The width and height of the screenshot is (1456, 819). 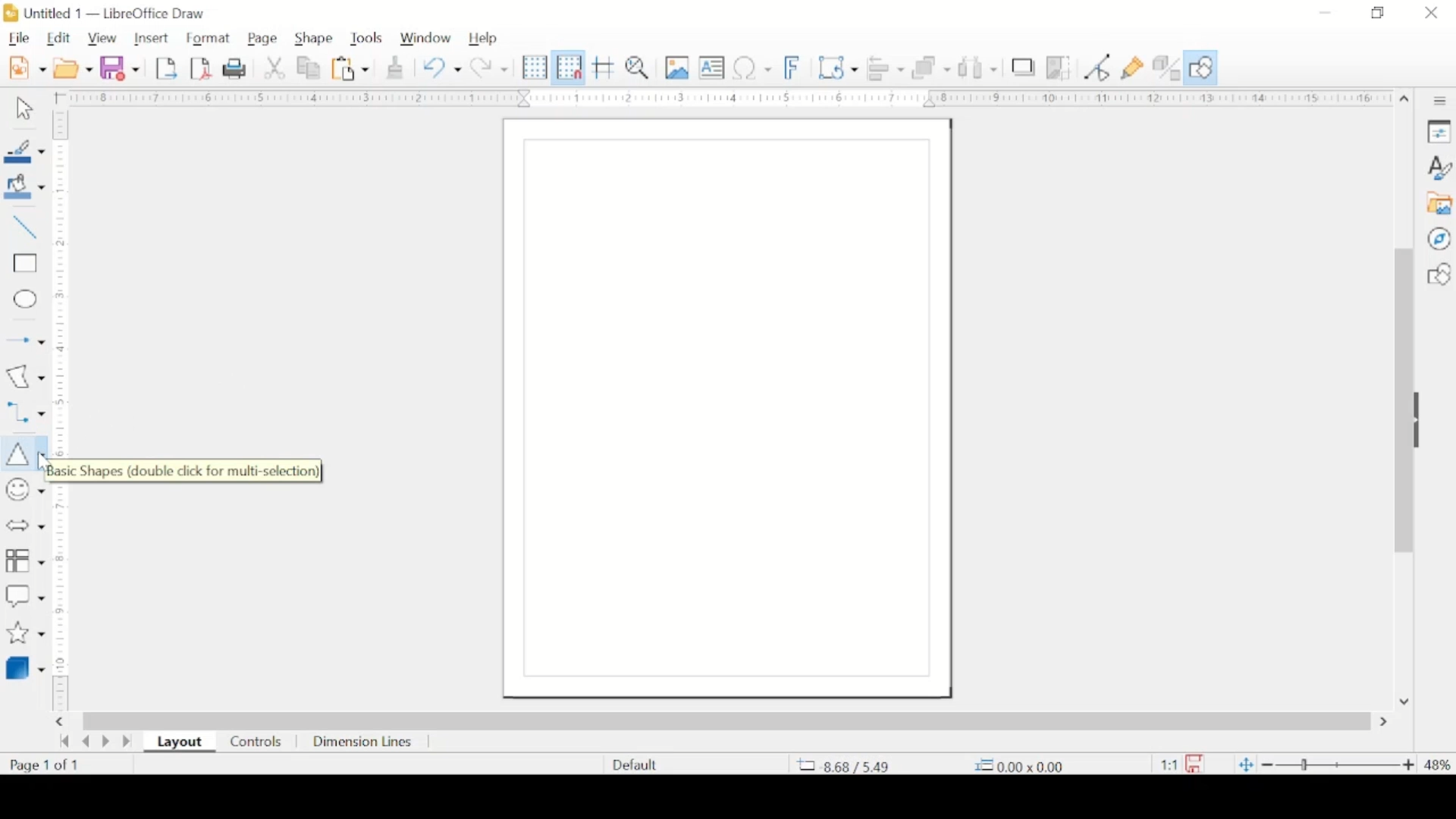 I want to click on print, so click(x=234, y=68).